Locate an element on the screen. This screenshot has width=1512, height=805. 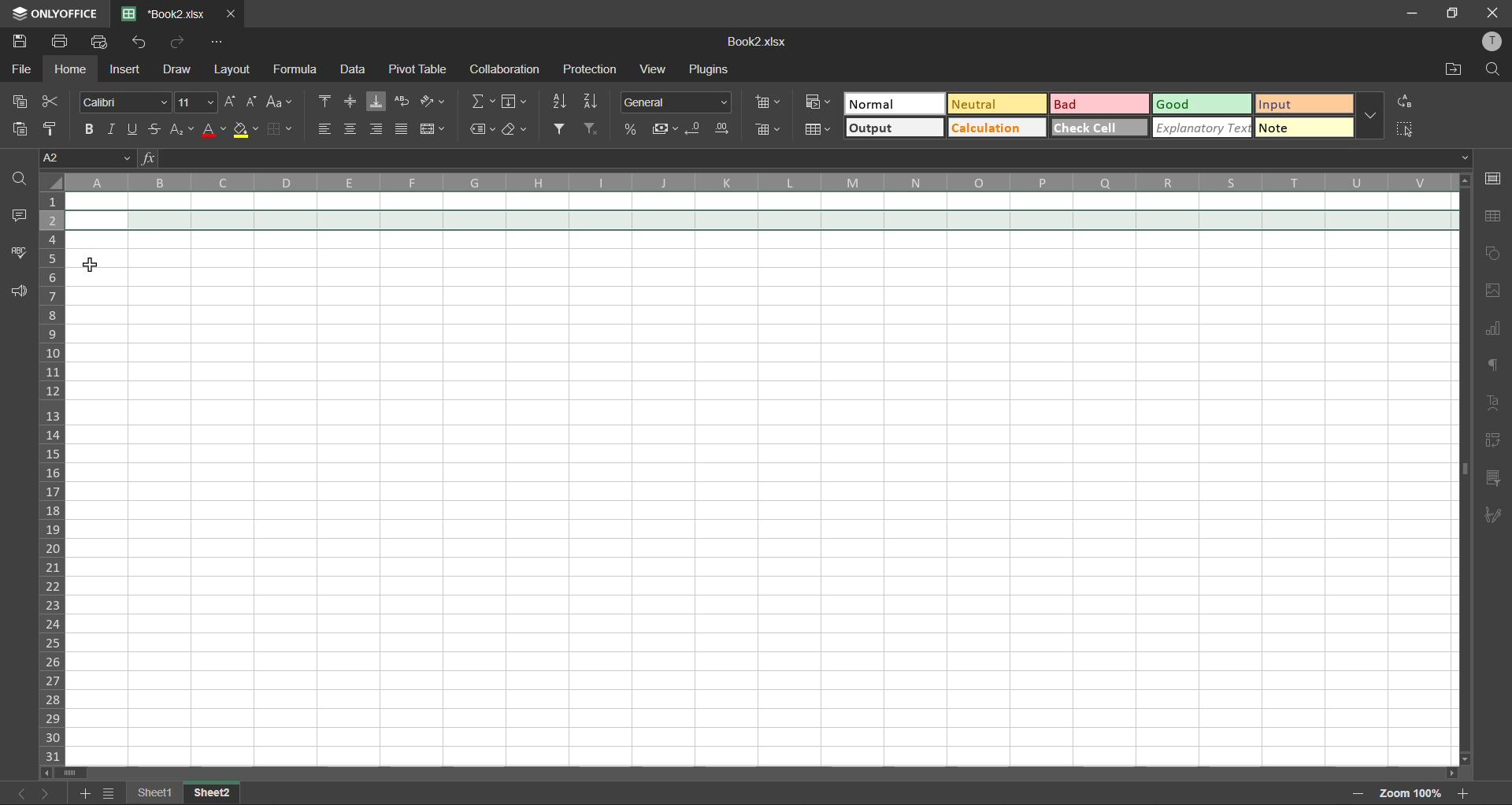
change case is located at coordinates (280, 104).